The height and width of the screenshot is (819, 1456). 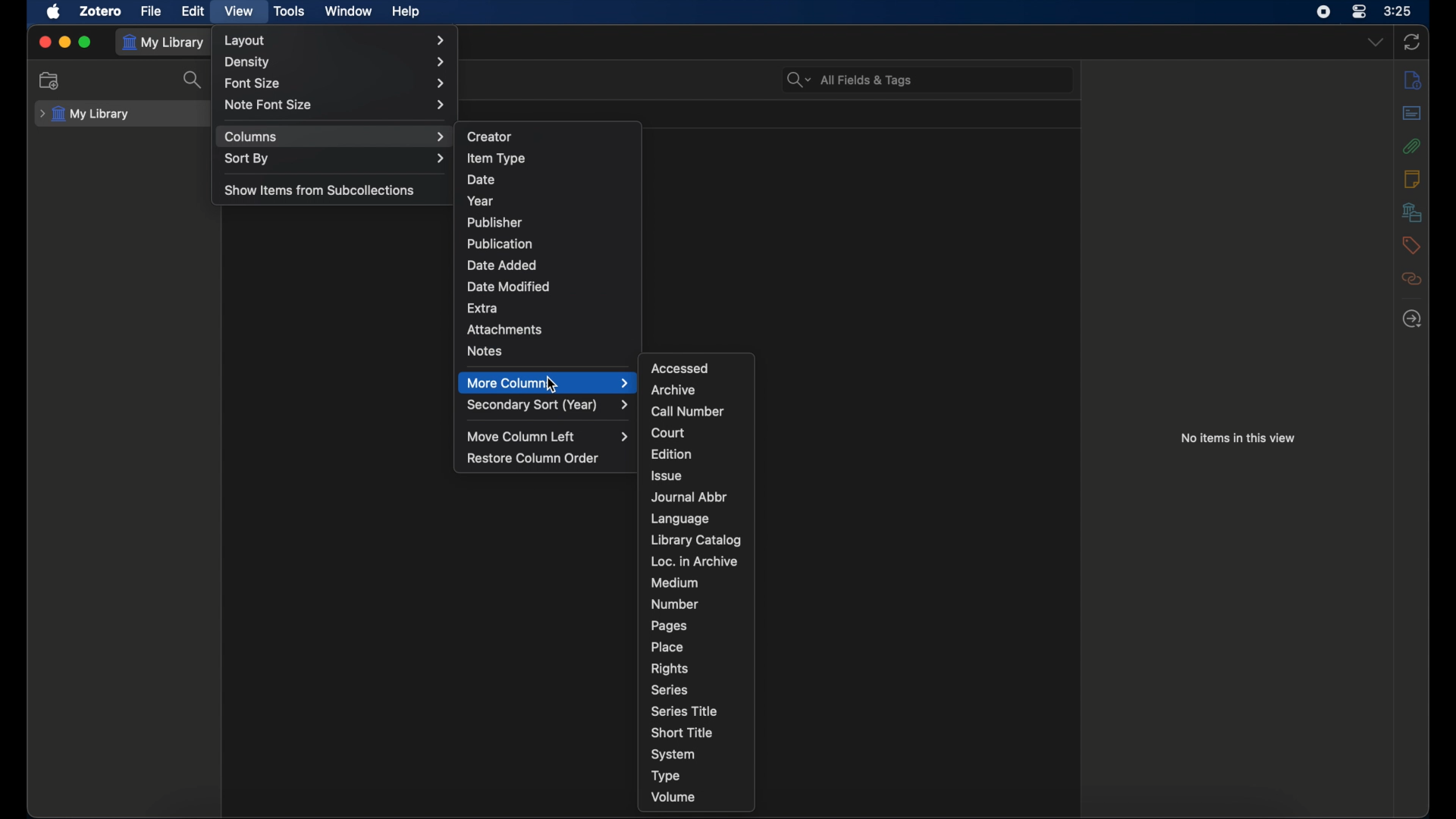 I want to click on file, so click(x=152, y=11).